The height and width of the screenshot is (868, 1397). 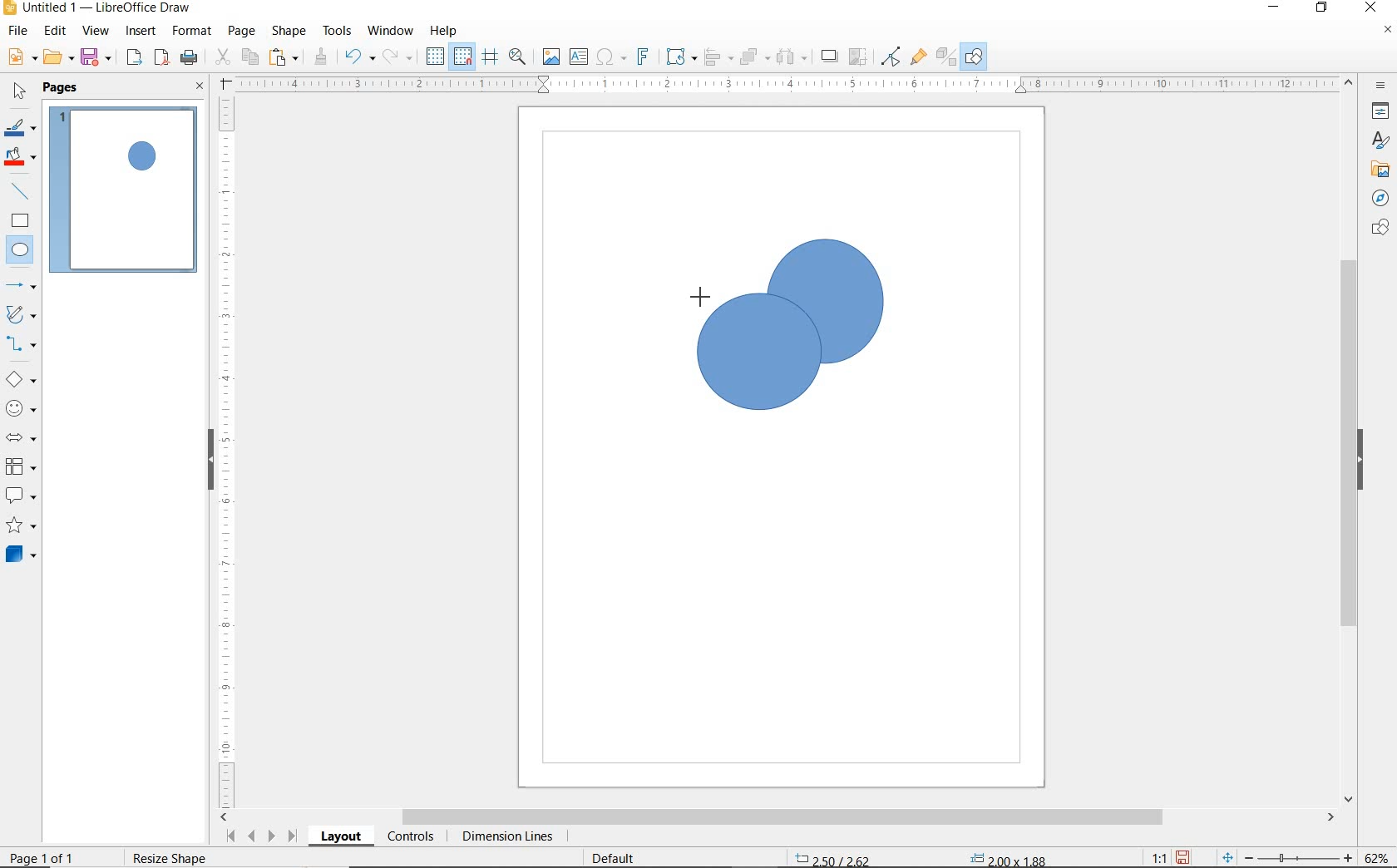 What do you see at coordinates (20, 57) in the screenshot?
I see `NEW` at bounding box center [20, 57].